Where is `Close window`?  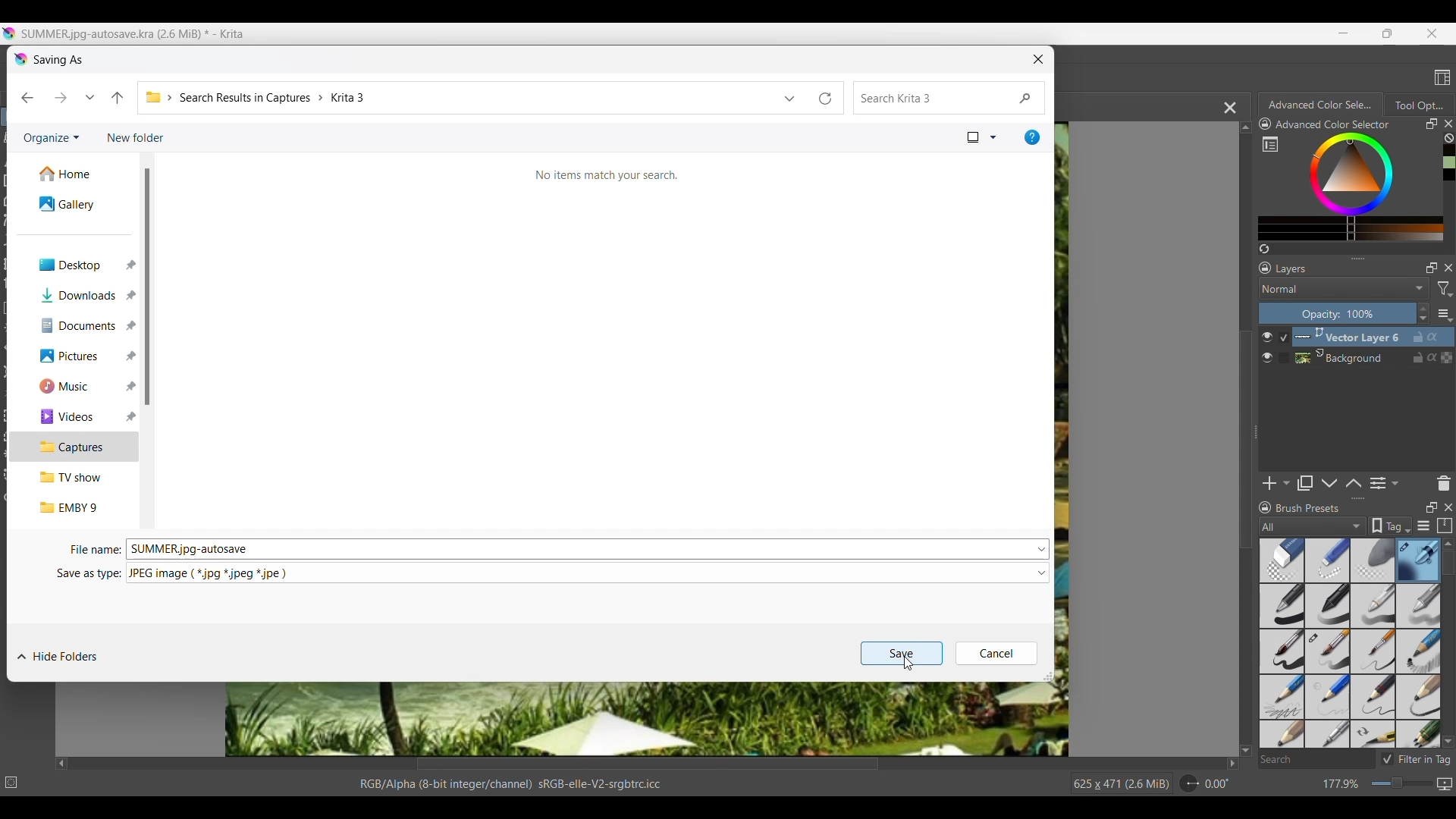
Close window is located at coordinates (1039, 59).